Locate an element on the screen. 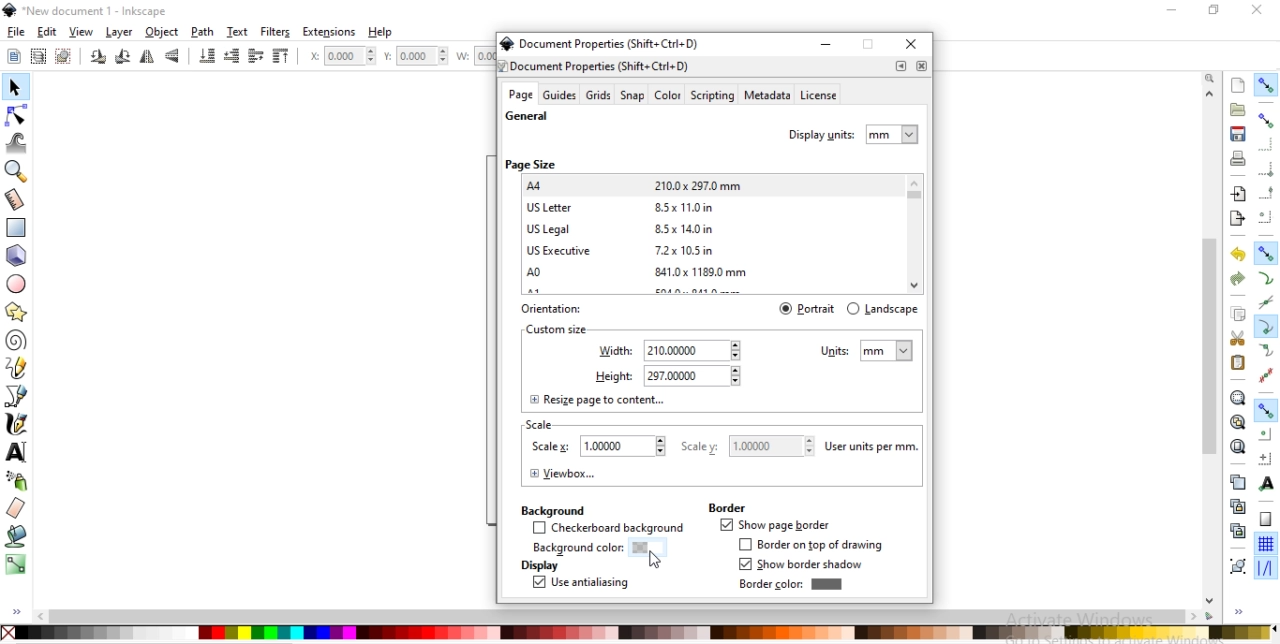  layer is located at coordinates (120, 33).